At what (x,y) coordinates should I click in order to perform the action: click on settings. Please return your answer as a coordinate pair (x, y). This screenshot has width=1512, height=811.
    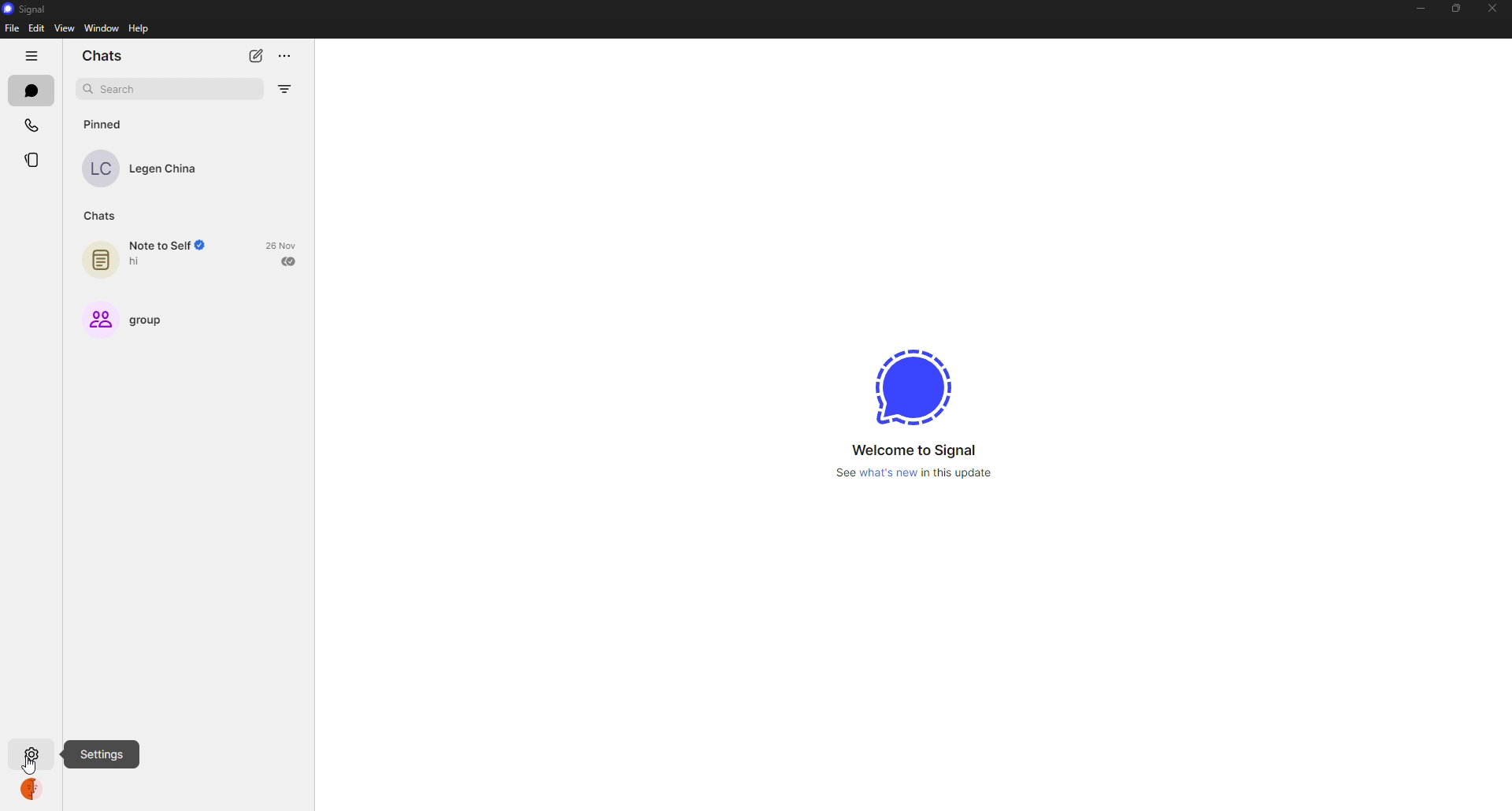
    Looking at the image, I should click on (31, 756).